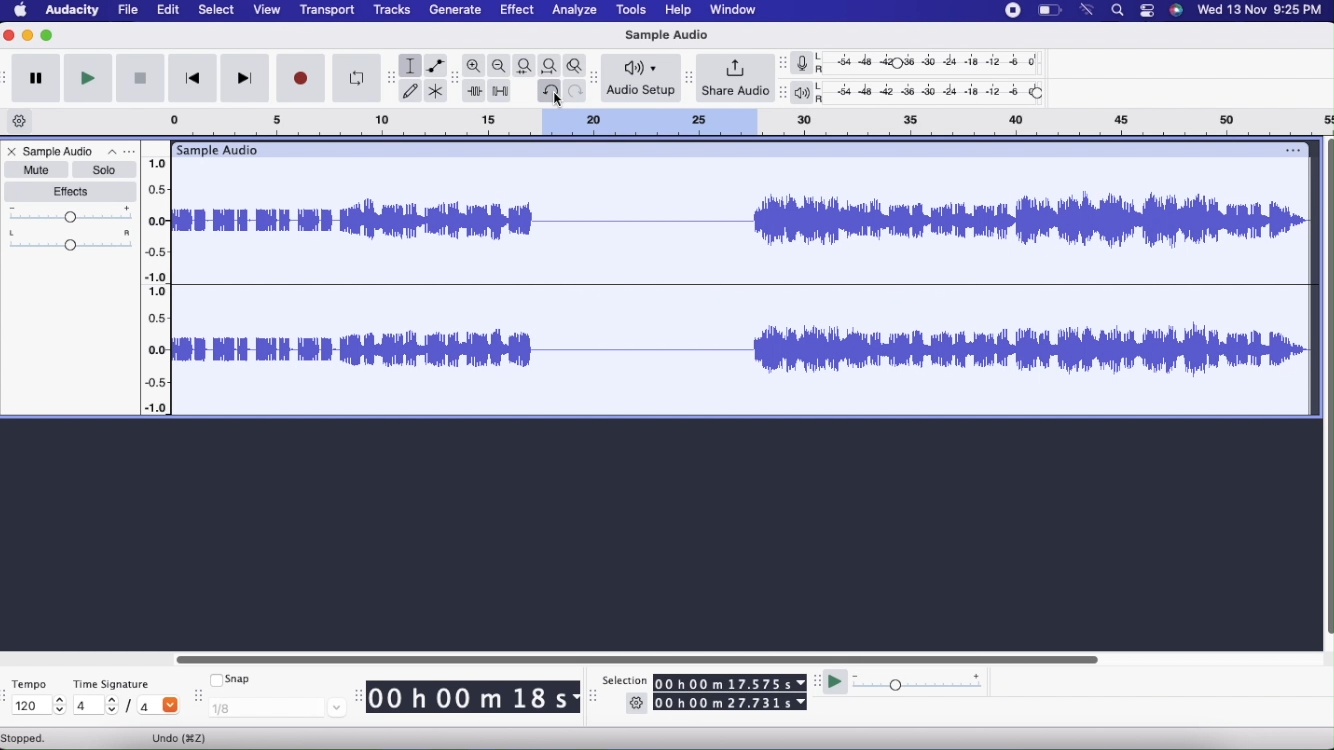  Describe the element at coordinates (128, 707) in the screenshot. I see `/` at that location.